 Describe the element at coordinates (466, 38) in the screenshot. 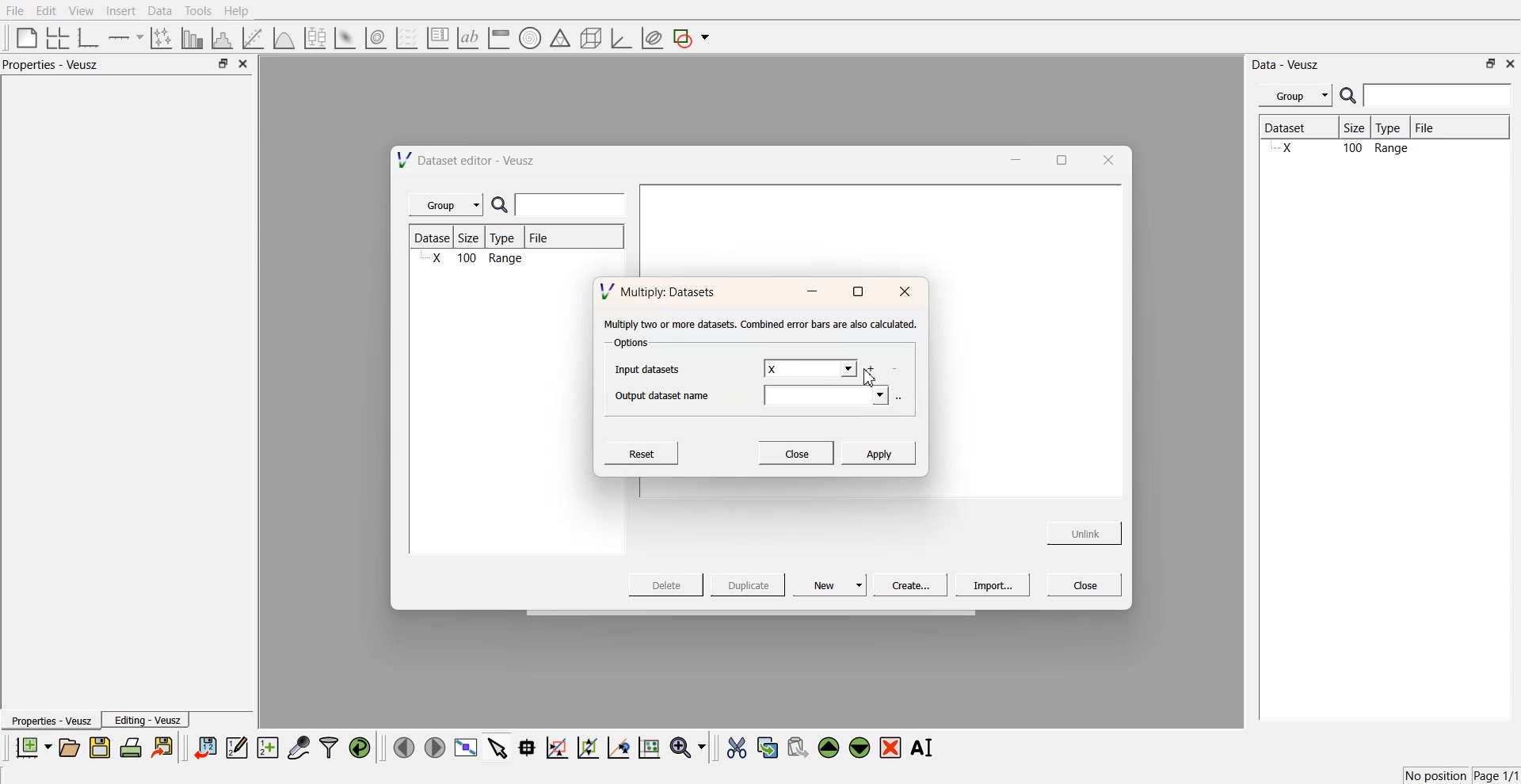

I see `text label` at that location.